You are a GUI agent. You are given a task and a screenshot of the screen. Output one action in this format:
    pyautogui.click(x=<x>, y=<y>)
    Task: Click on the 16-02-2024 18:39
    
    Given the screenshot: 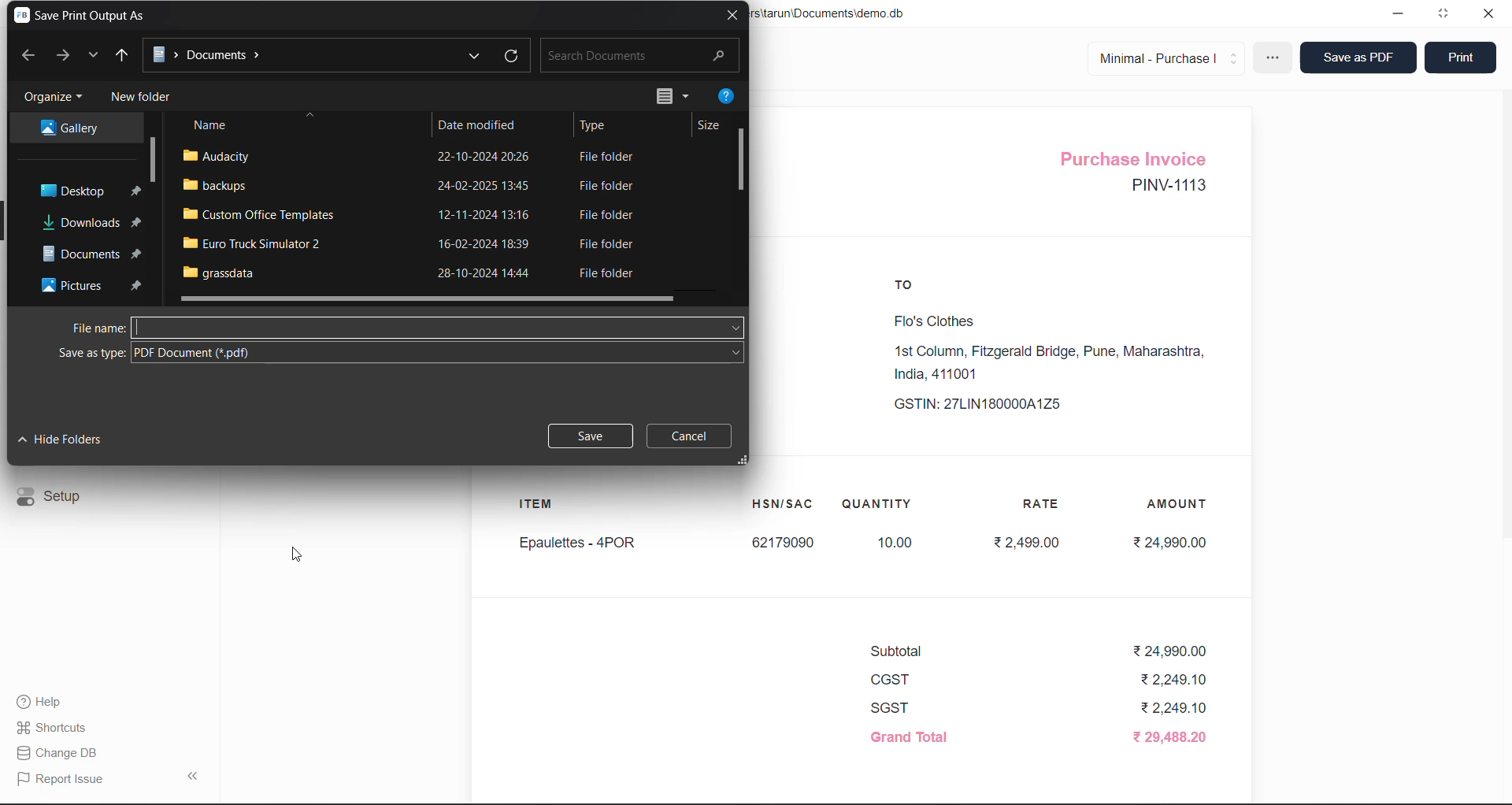 What is the action you would take?
    pyautogui.click(x=484, y=243)
    